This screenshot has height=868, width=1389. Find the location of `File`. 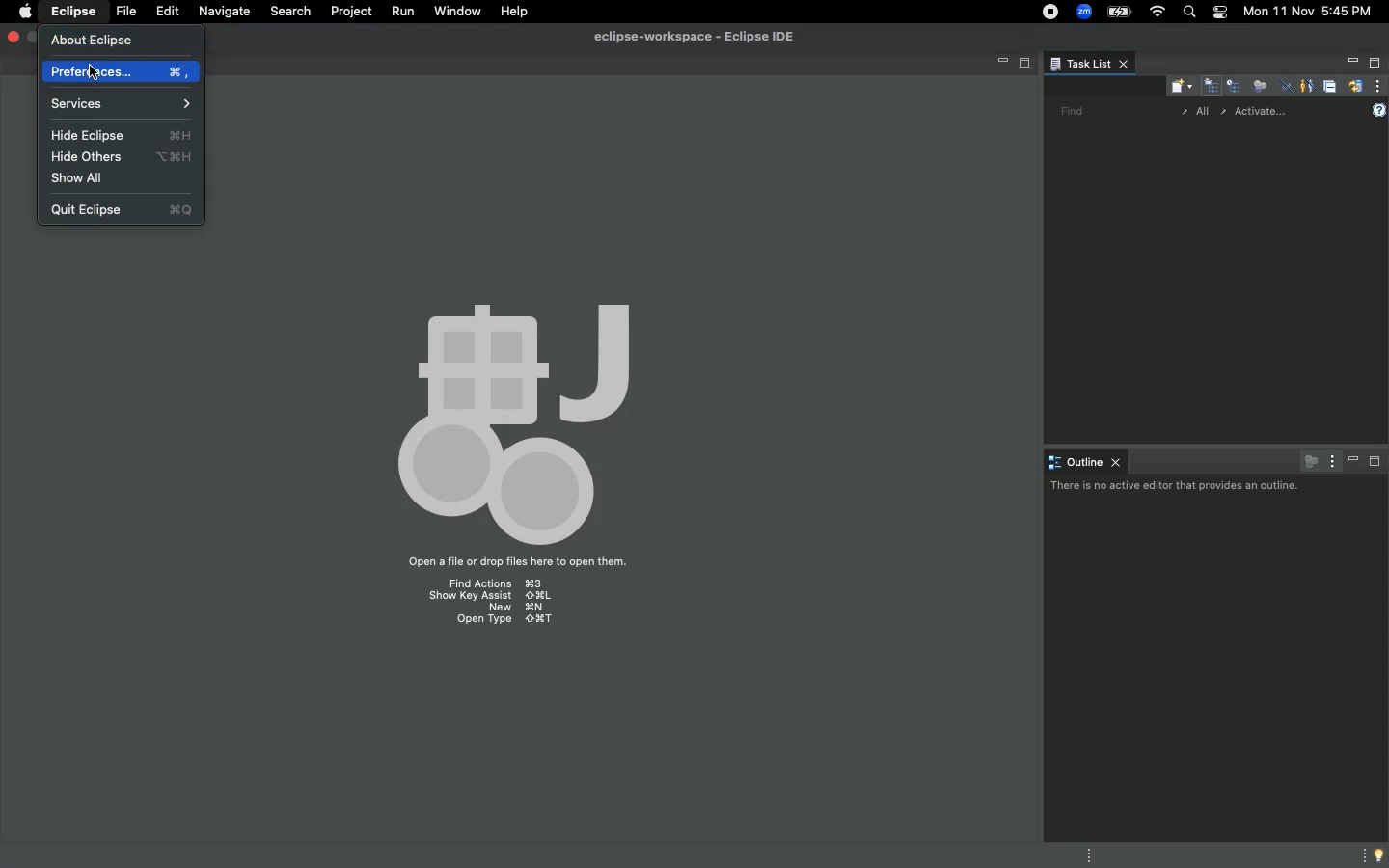

File is located at coordinates (124, 12).